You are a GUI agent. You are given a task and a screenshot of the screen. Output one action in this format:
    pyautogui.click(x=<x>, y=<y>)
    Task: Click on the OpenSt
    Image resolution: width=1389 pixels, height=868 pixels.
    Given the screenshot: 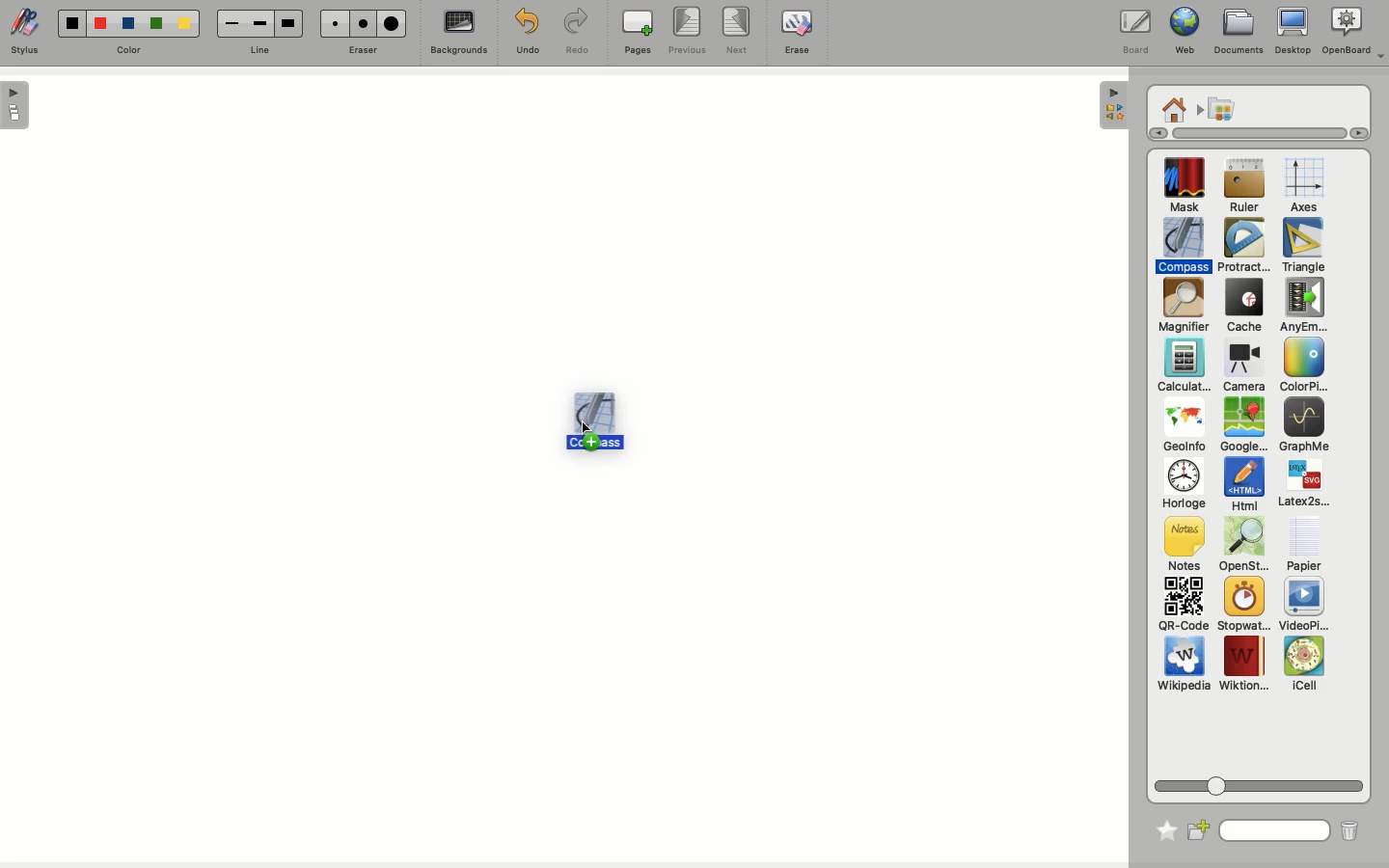 What is the action you would take?
    pyautogui.click(x=1239, y=547)
    